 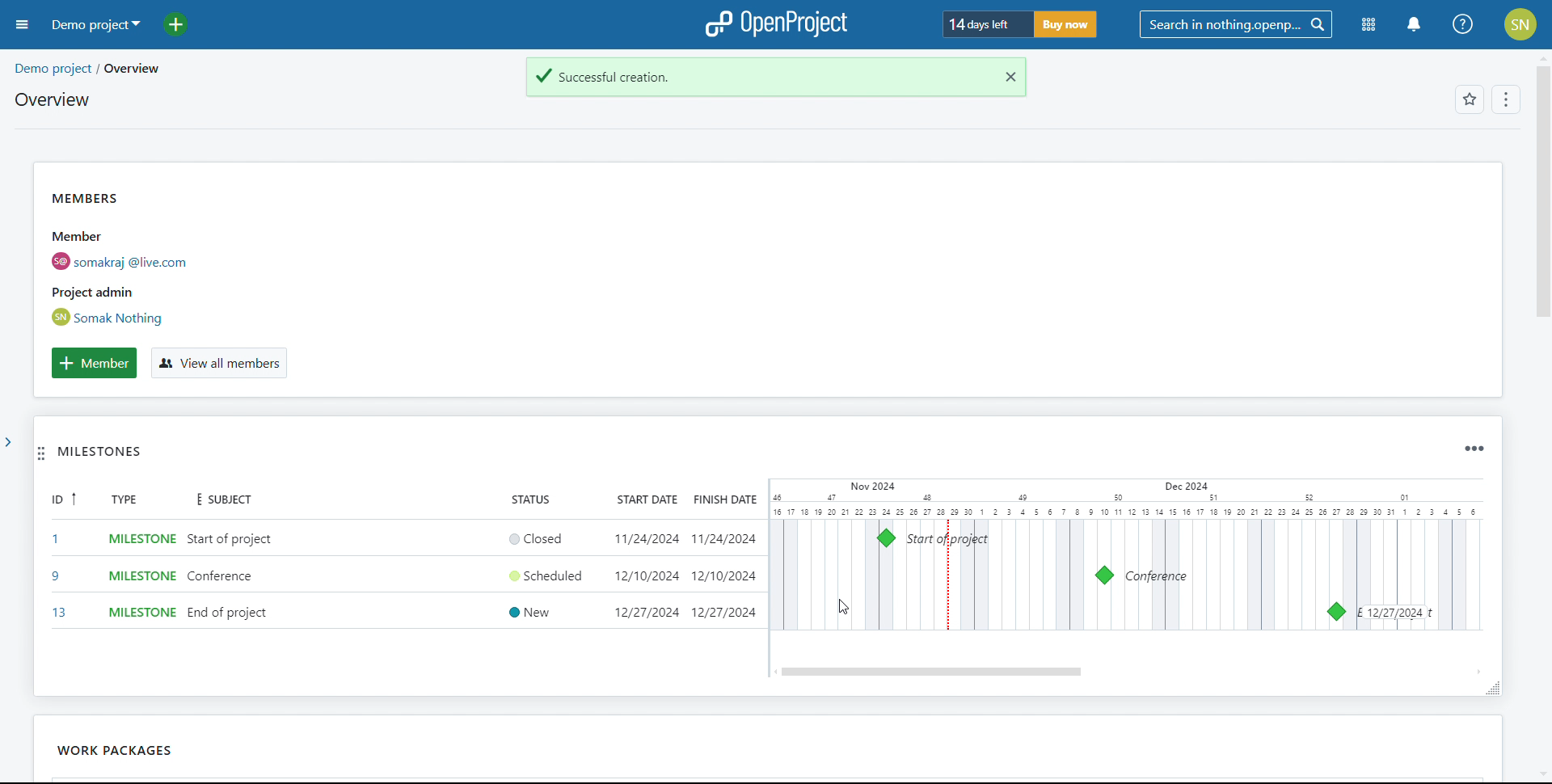 What do you see at coordinates (1464, 24) in the screenshot?
I see `help` at bounding box center [1464, 24].